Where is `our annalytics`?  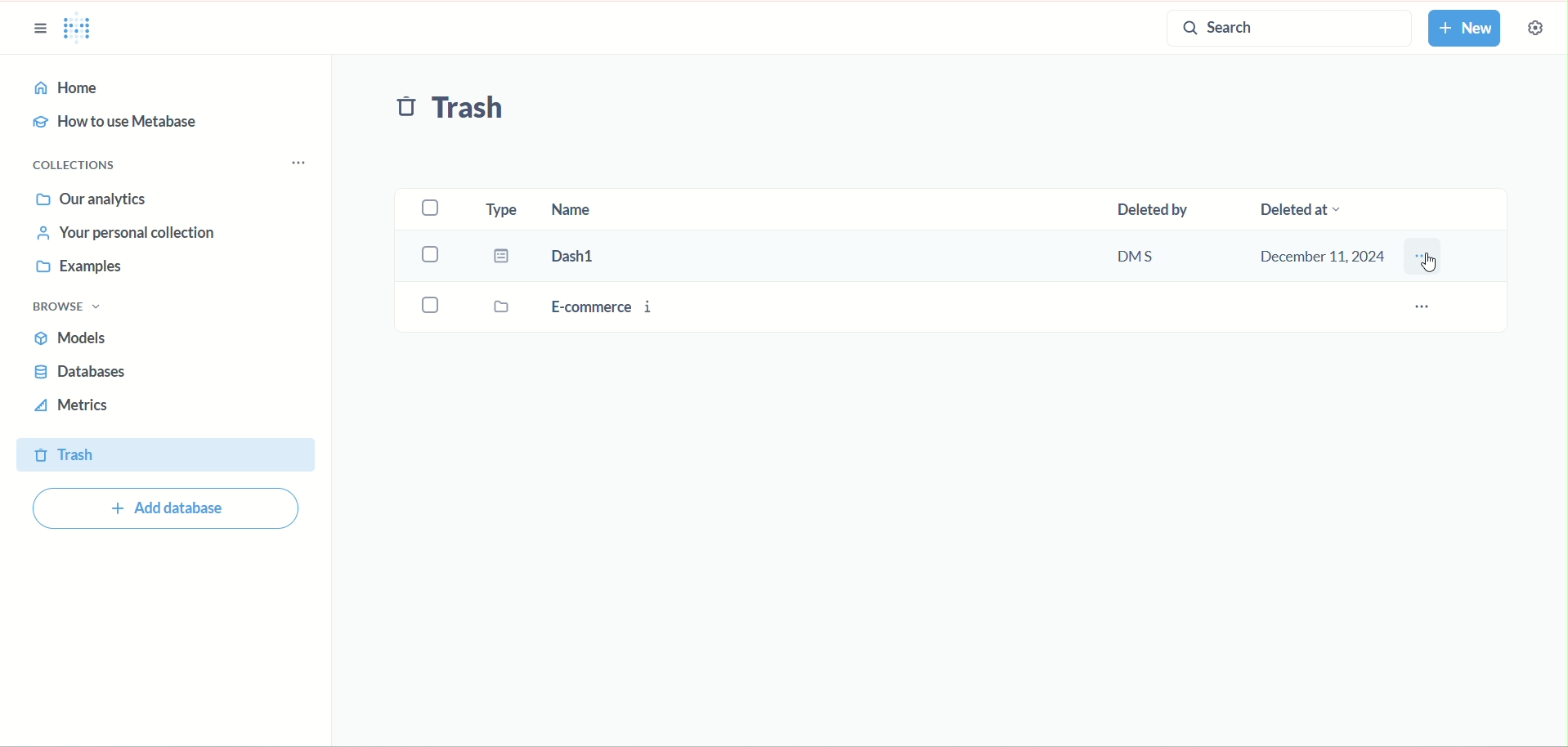 our annalytics is located at coordinates (96, 198).